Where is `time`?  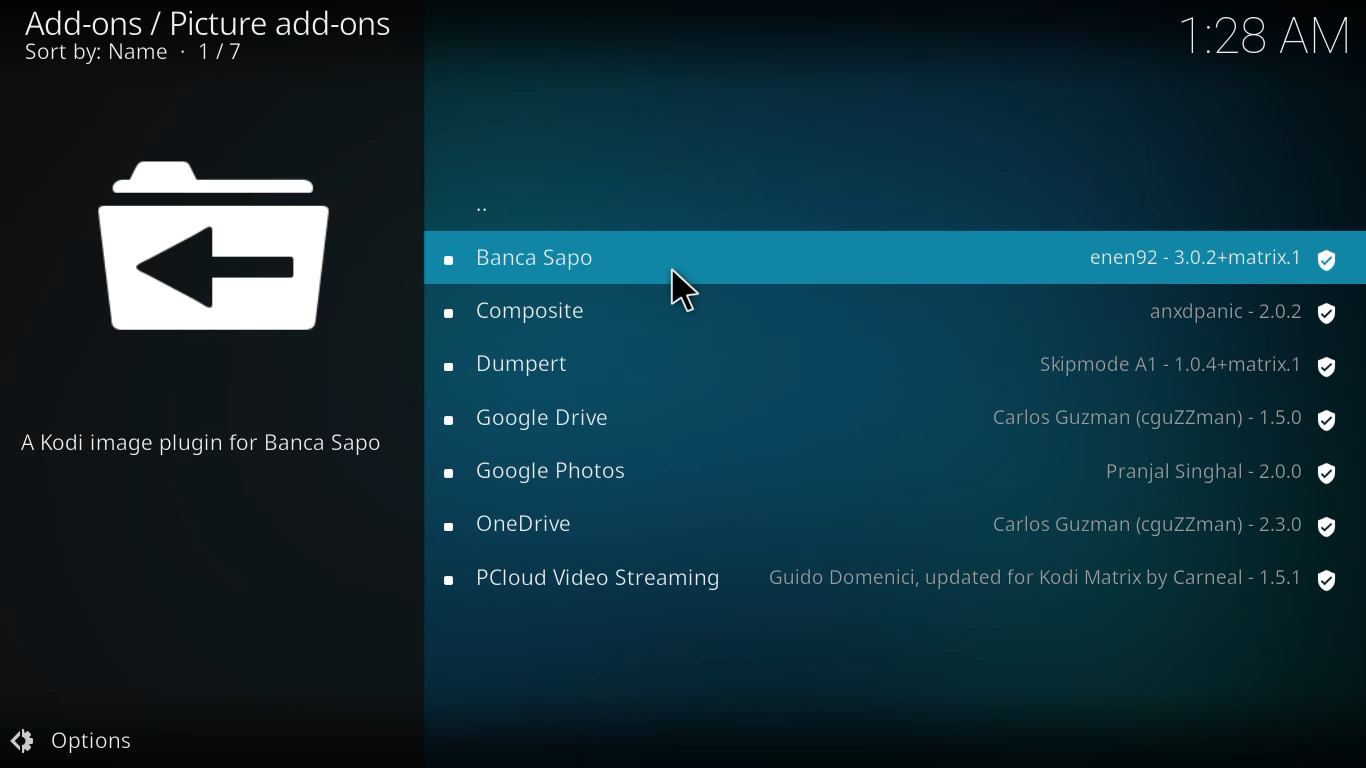 time is located at coordinates (1268, 33).